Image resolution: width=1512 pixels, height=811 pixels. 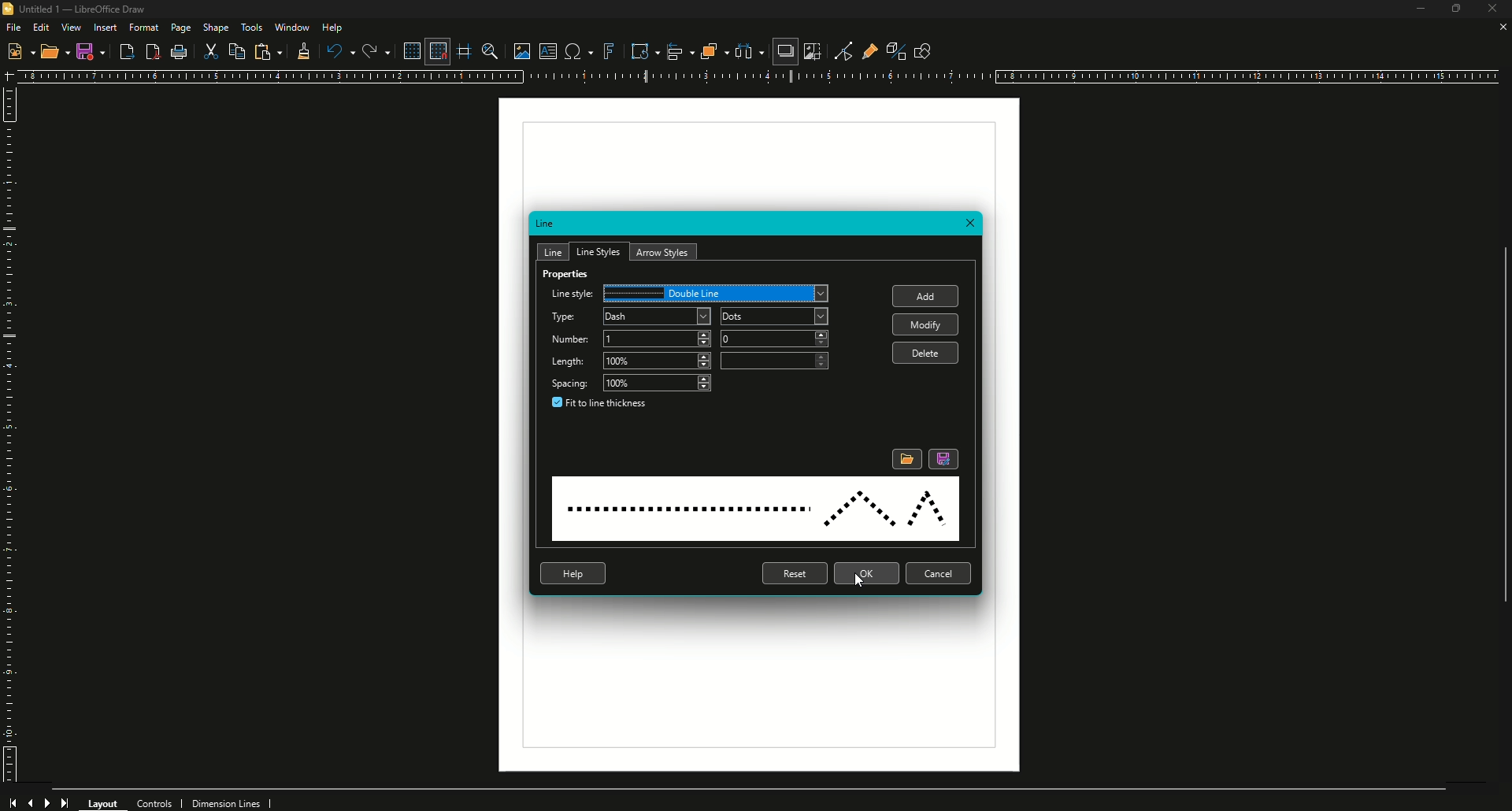 I want to click on Redo, so click(x=375, y=51).